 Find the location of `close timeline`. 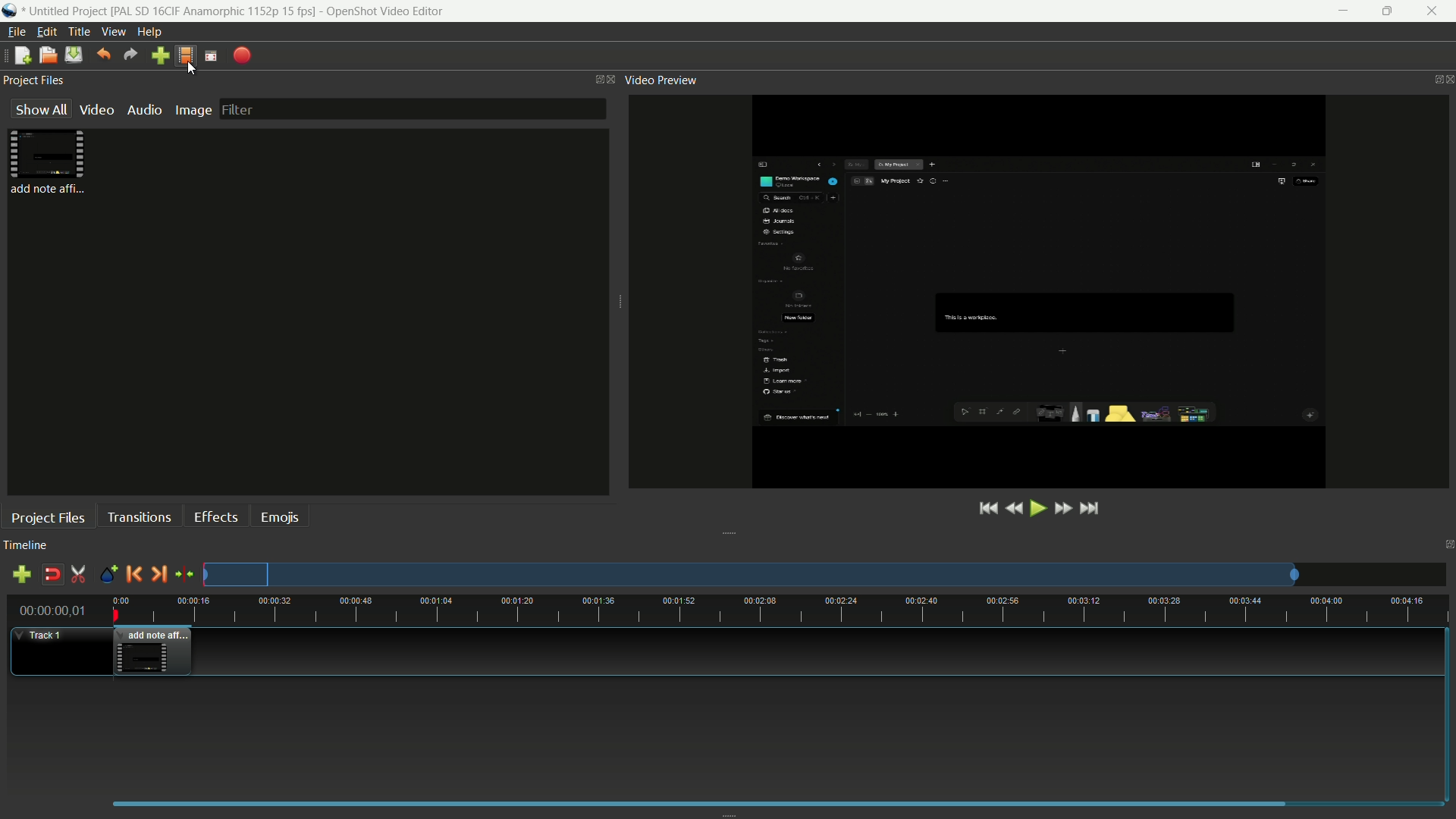

close timeline is located at coordinates (1447, 543).